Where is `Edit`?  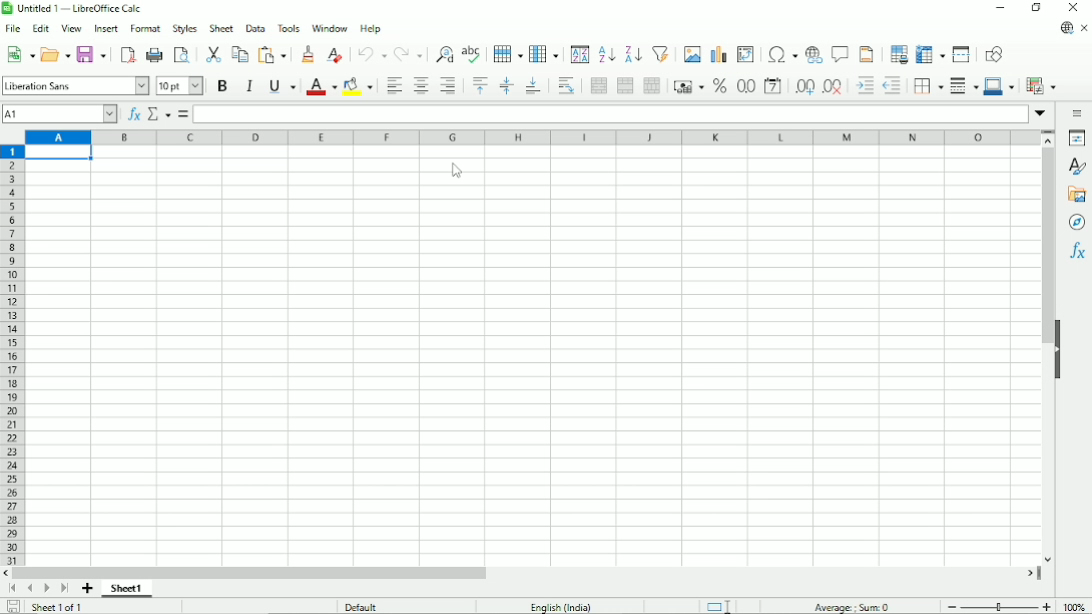 Edit is located at coordinates (42, 28).